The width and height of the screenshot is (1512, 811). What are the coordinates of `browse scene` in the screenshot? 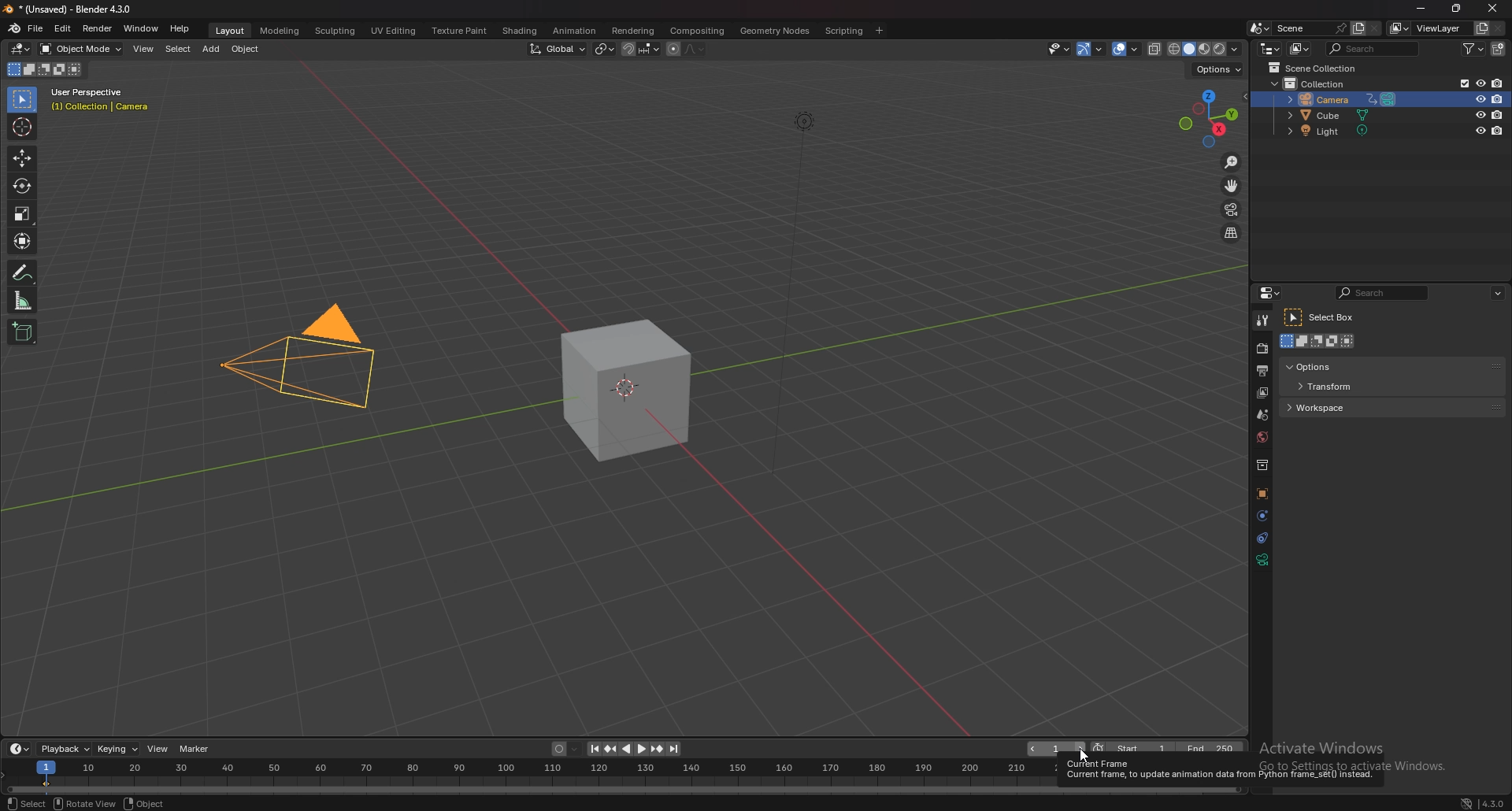 It's located at (1258, 28).